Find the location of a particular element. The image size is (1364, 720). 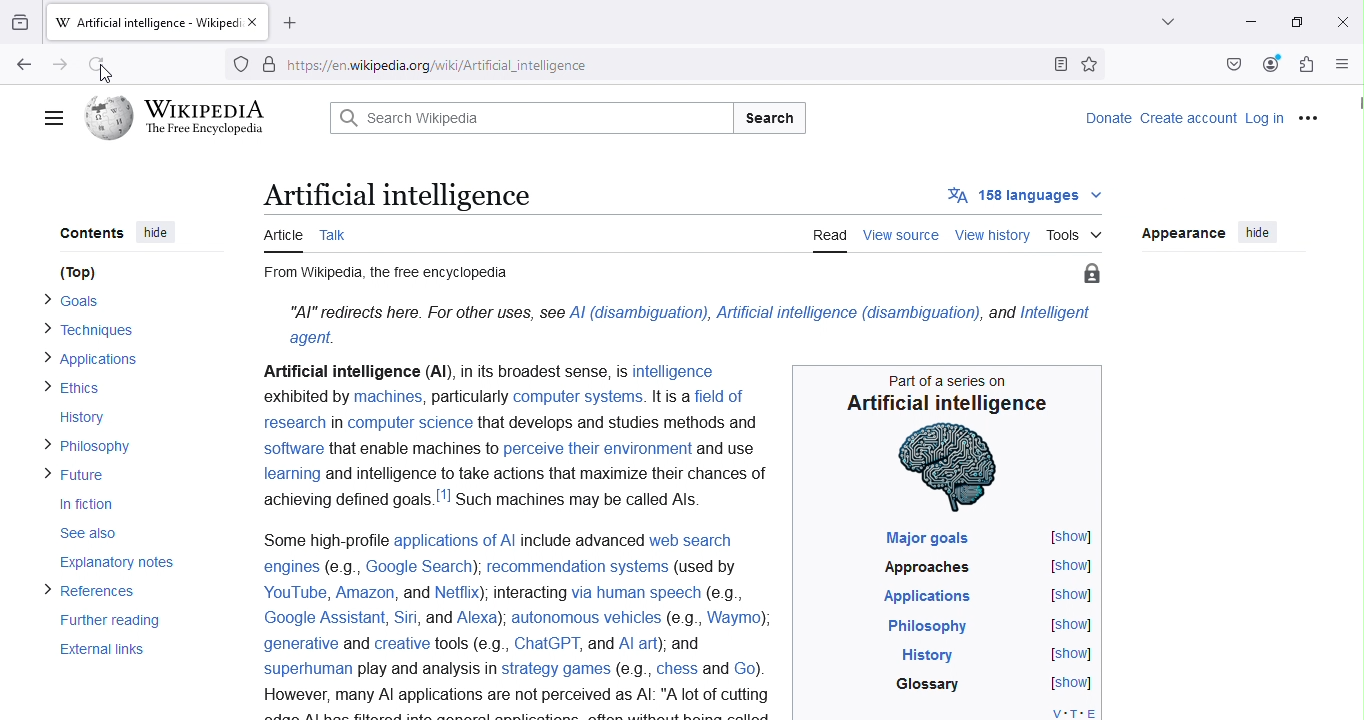

Interacting is located at coordinates (528, 591).